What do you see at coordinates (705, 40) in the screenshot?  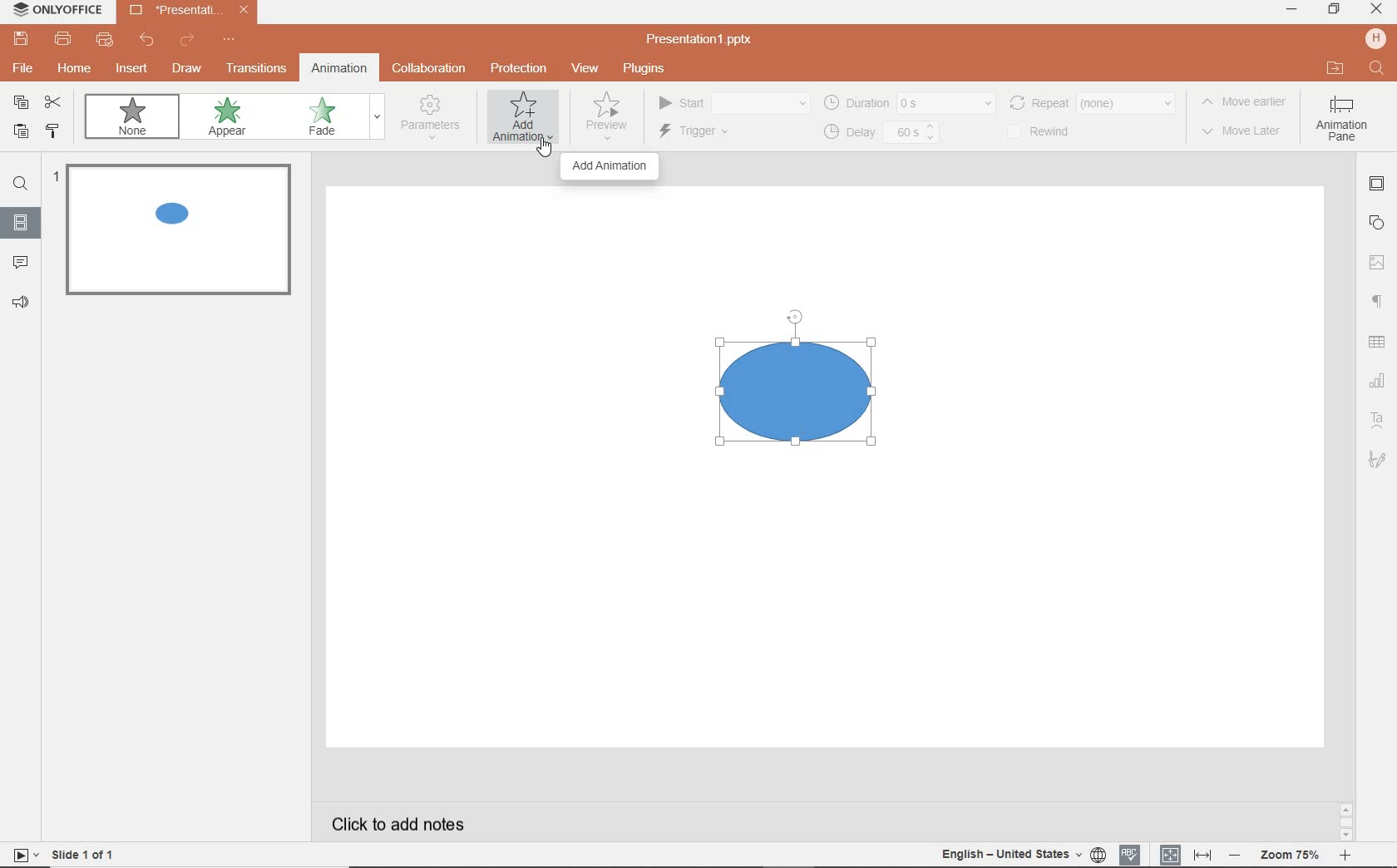 I see `file name` at bounding box center [705, 40].